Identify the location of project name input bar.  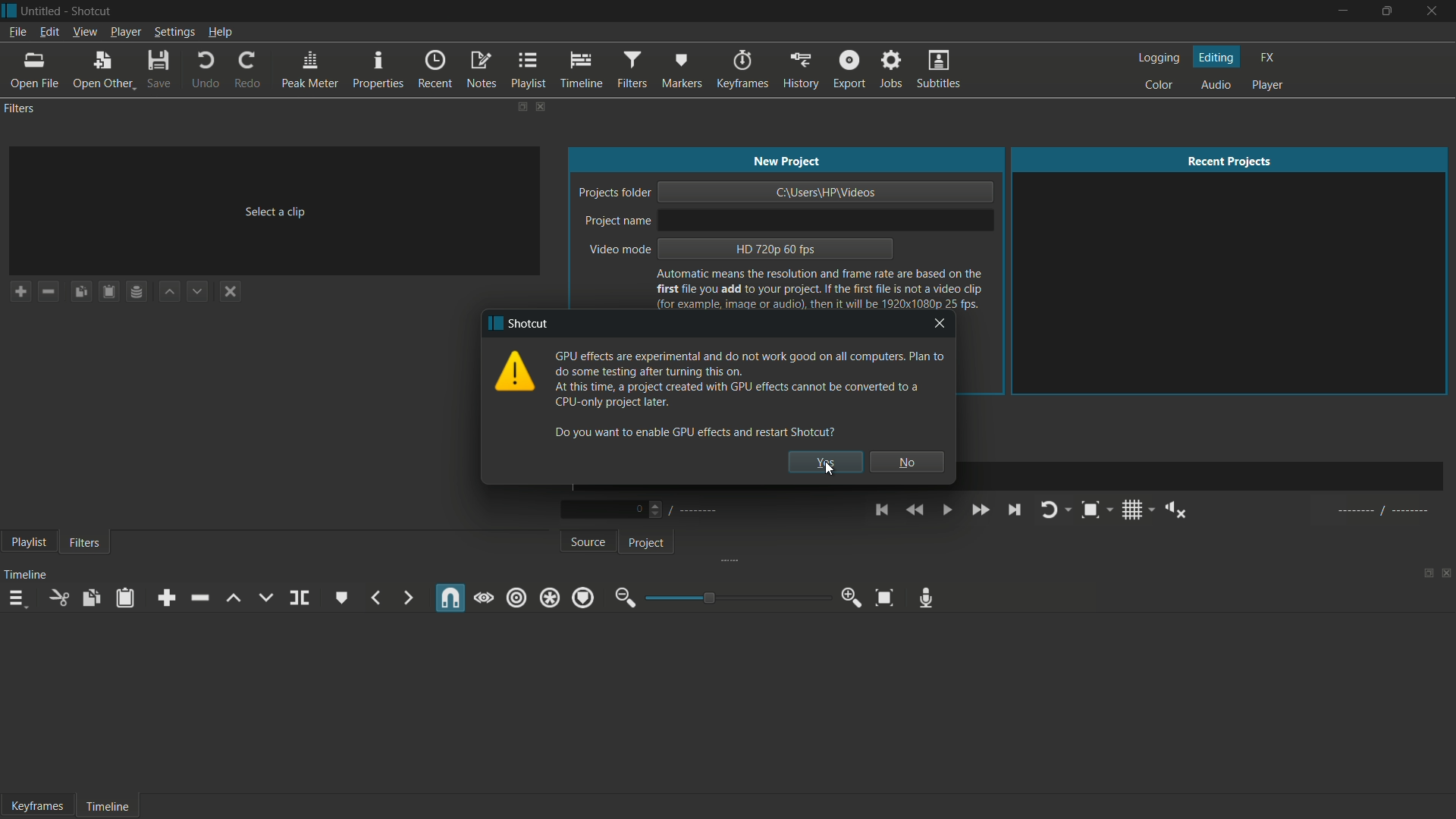
(825, 219).